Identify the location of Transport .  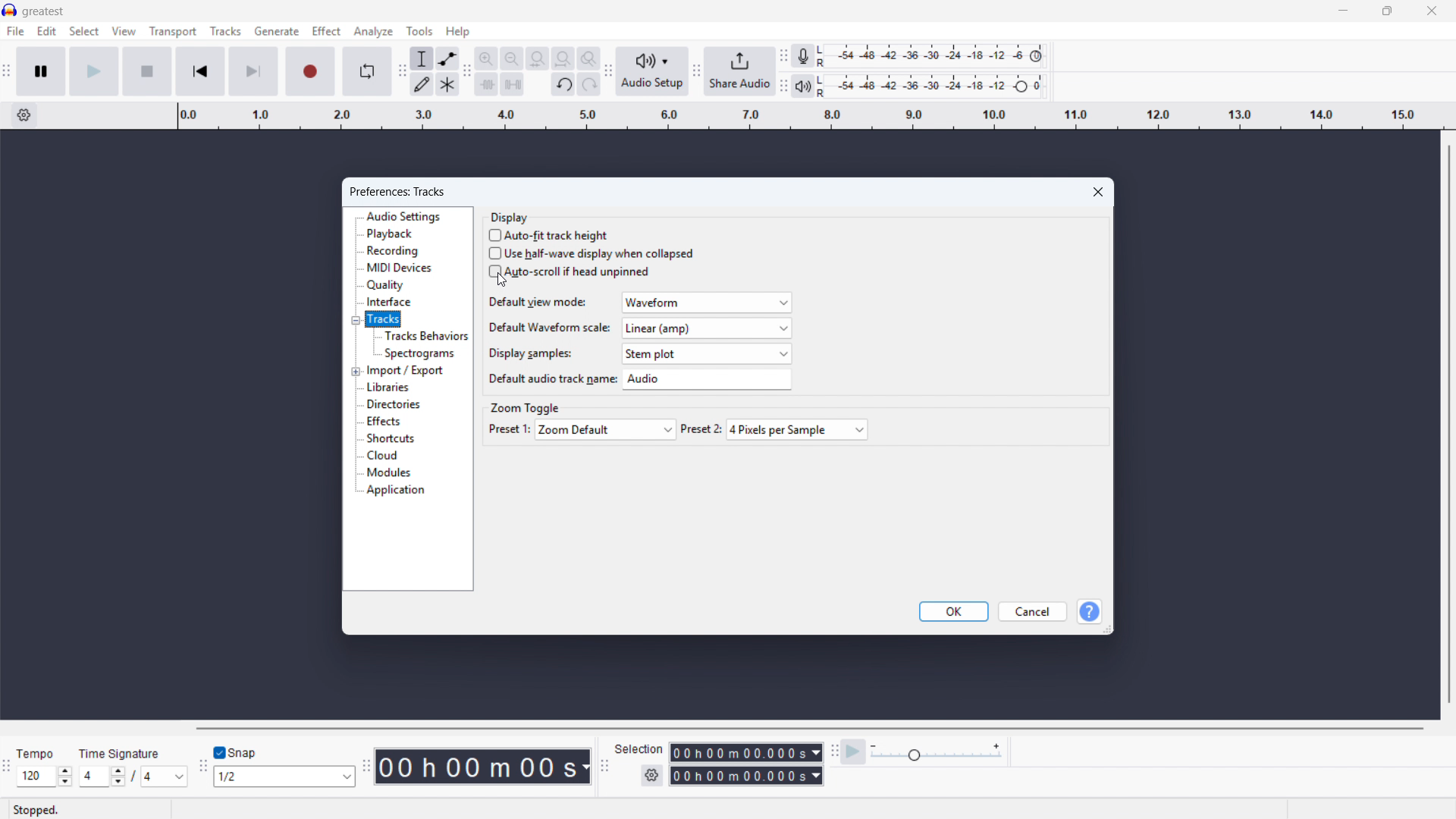
(173, 31).